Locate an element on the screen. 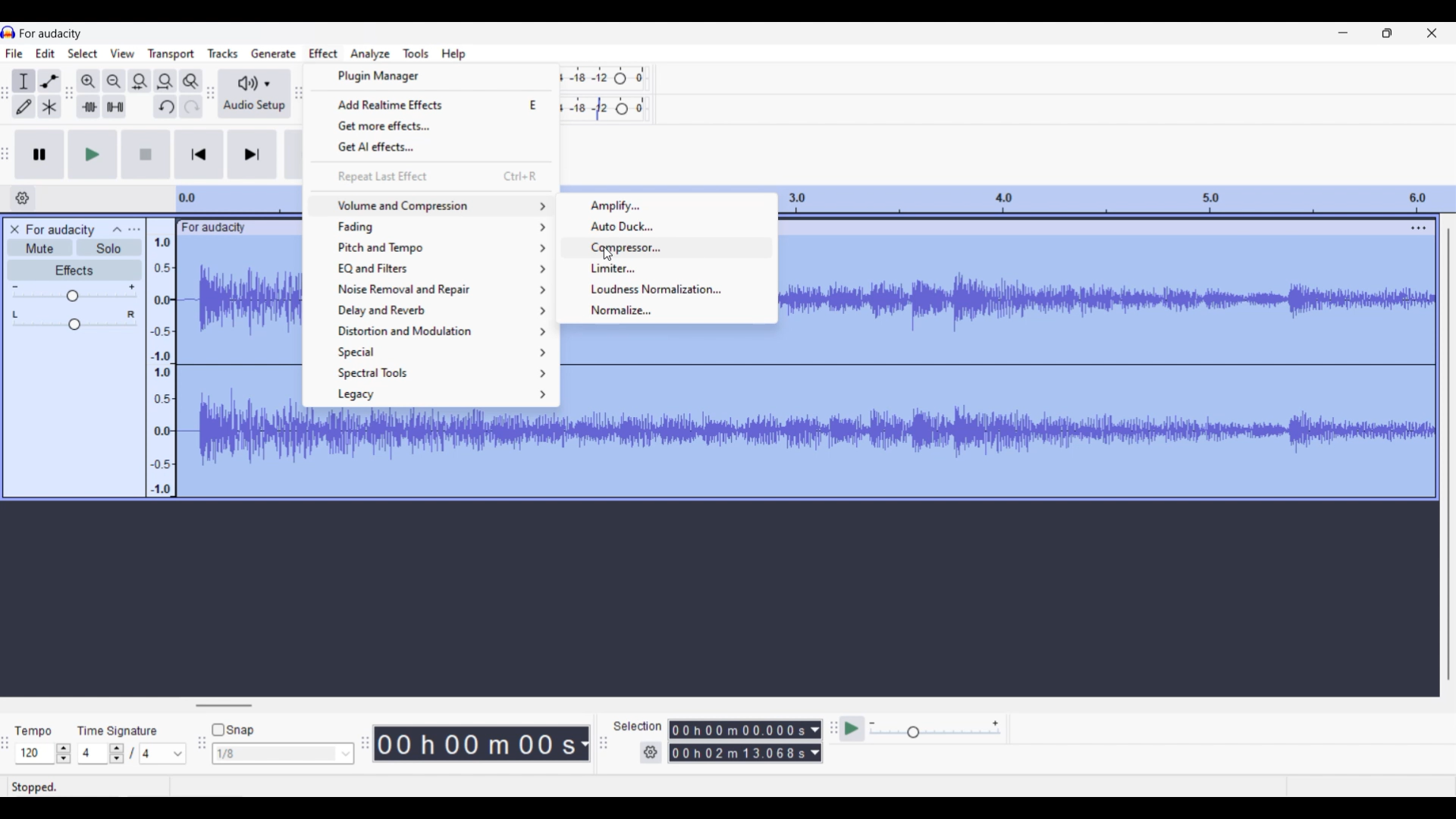 The height and width of the screenshot is (819, 1456). Edit menu is located at coordinates (45, 53).